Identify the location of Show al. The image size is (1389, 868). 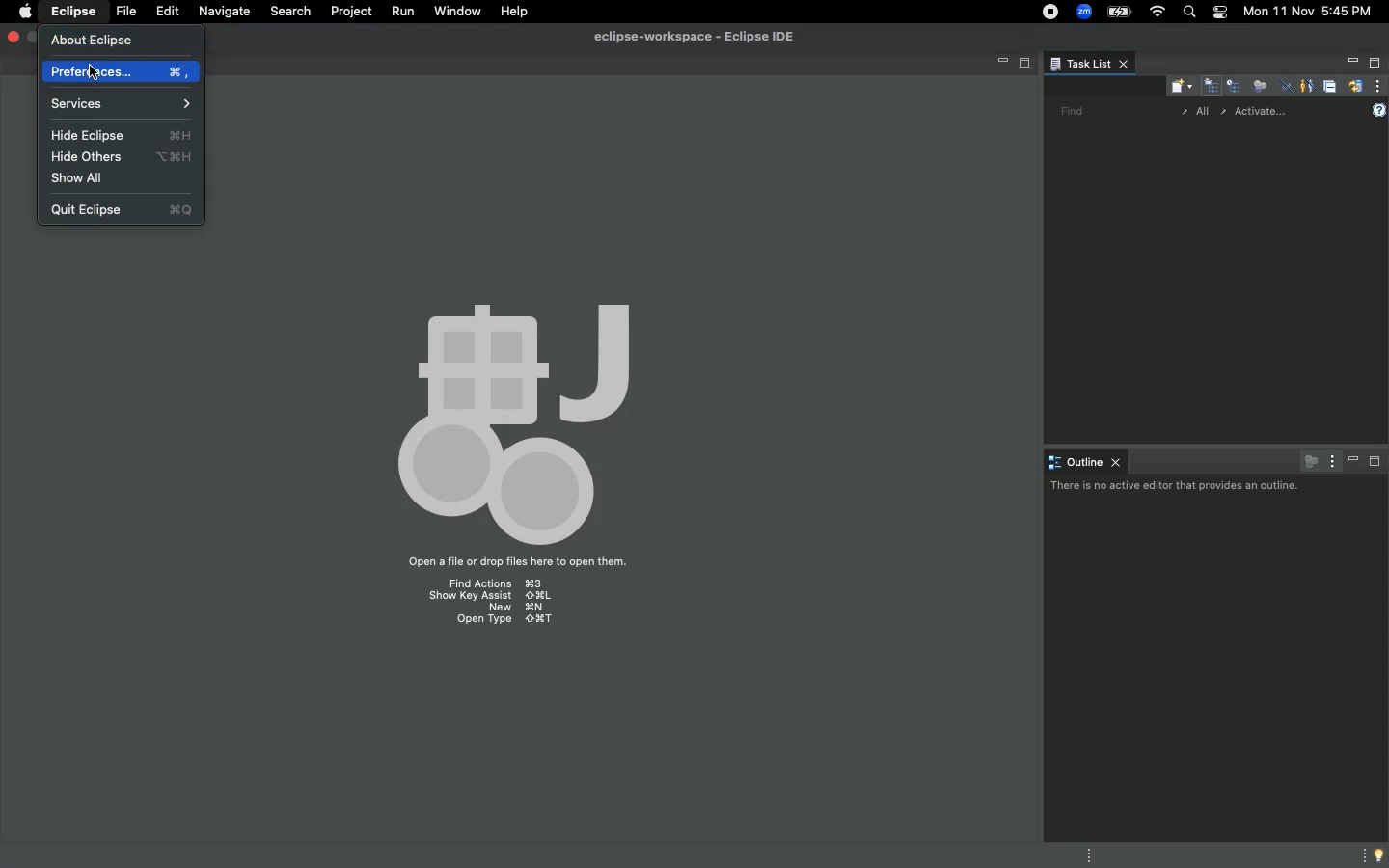
(86, 178).